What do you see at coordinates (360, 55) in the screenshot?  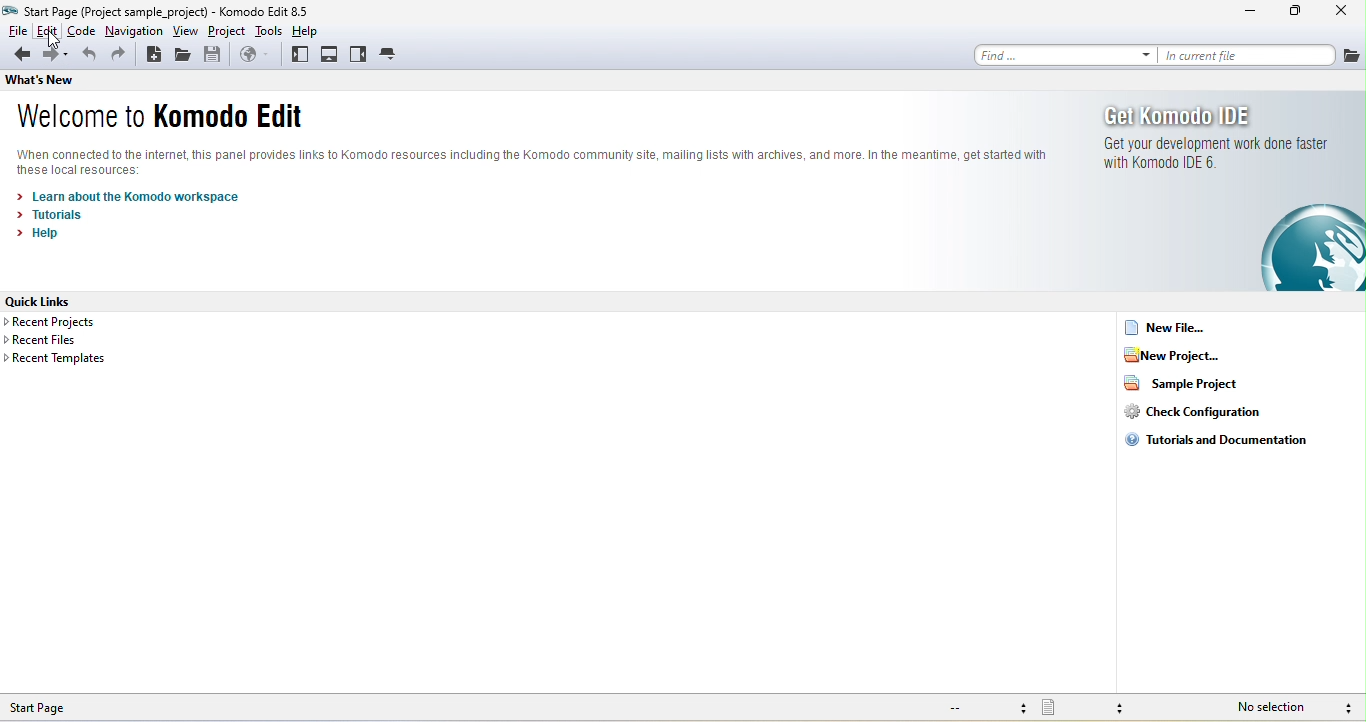 I see `right pane` at bounding box center [360, 55].